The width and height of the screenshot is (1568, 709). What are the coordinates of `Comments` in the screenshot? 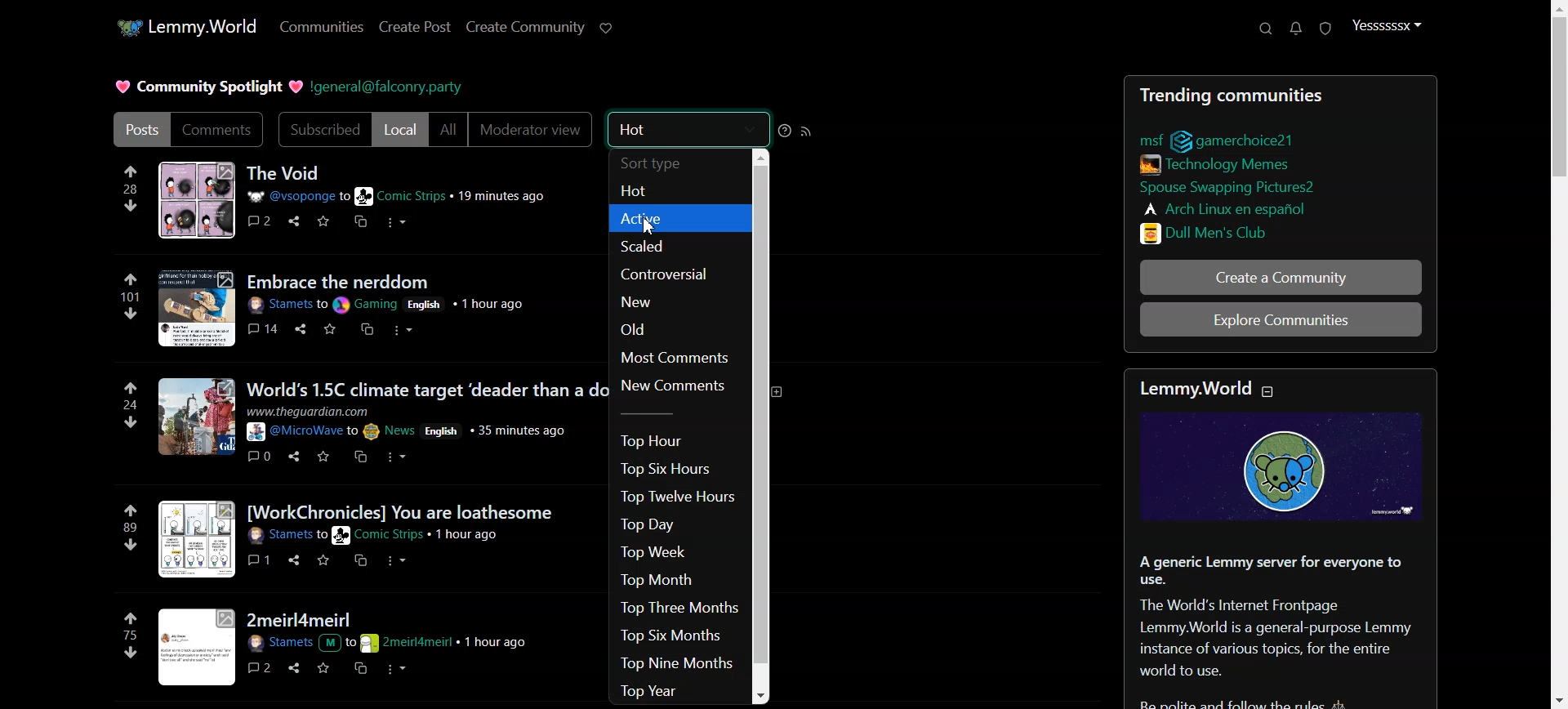 It's located at (220, 130).